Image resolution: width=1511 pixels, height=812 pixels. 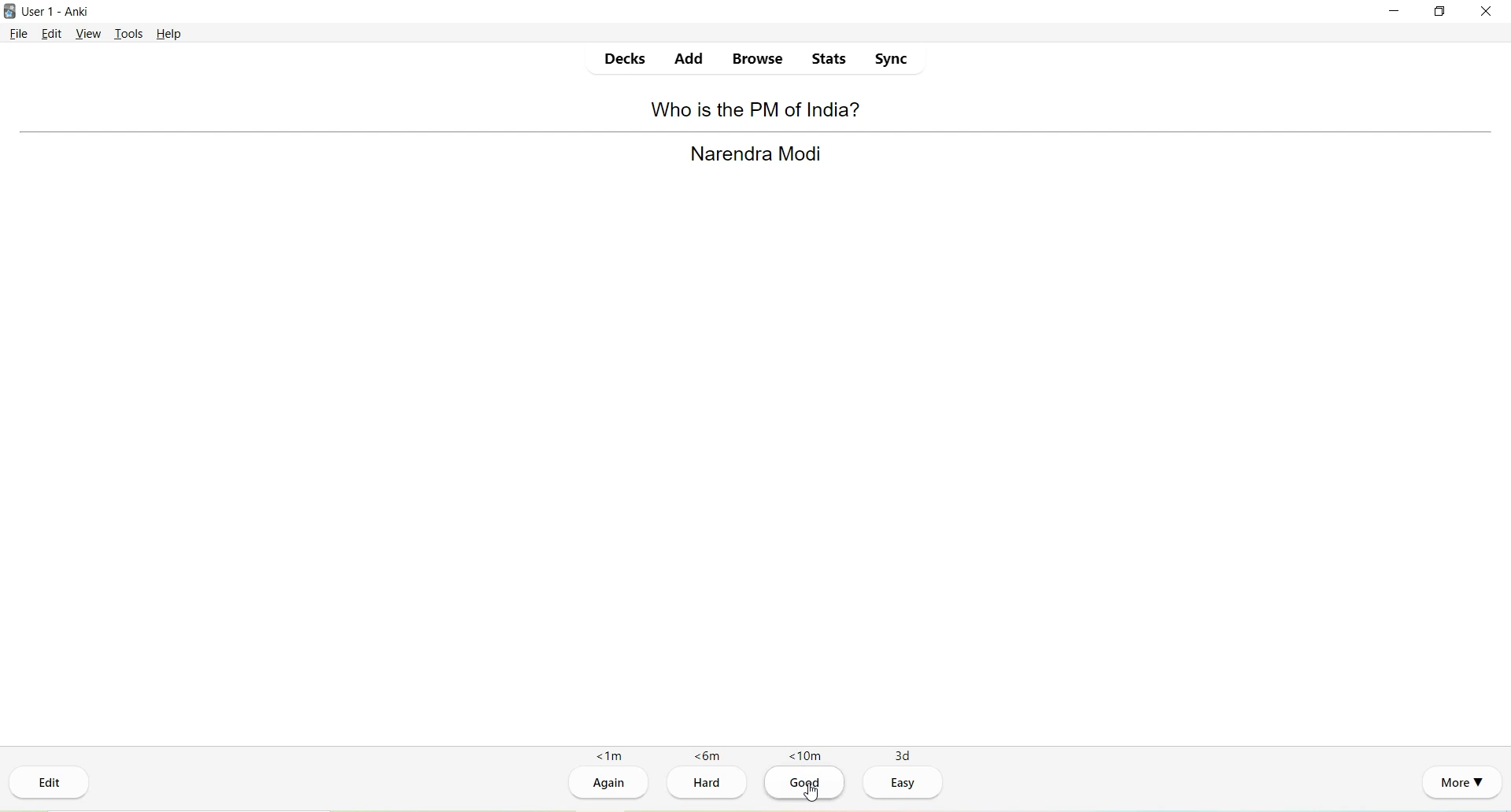 I want to click on Sync, so click(x=891, y=61).